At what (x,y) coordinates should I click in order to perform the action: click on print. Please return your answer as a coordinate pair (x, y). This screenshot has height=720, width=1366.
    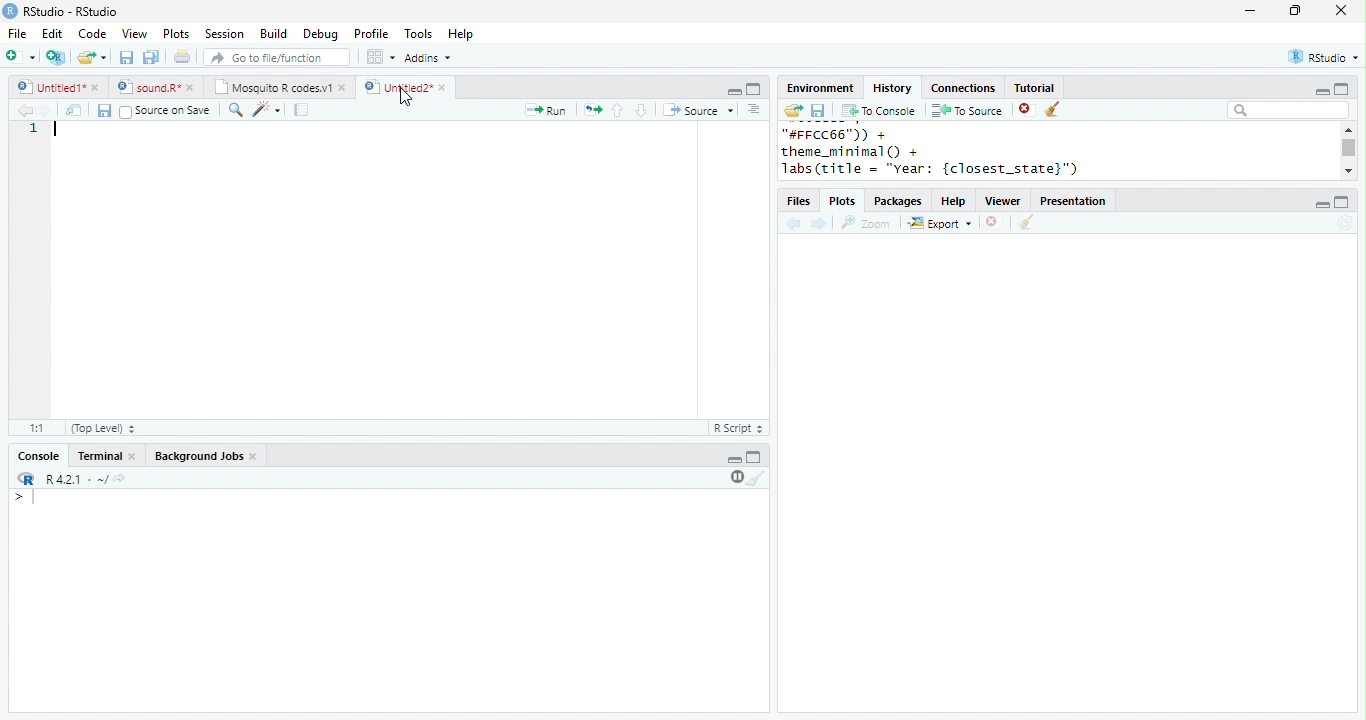
    Looking at the image, I should click on (181, 56).